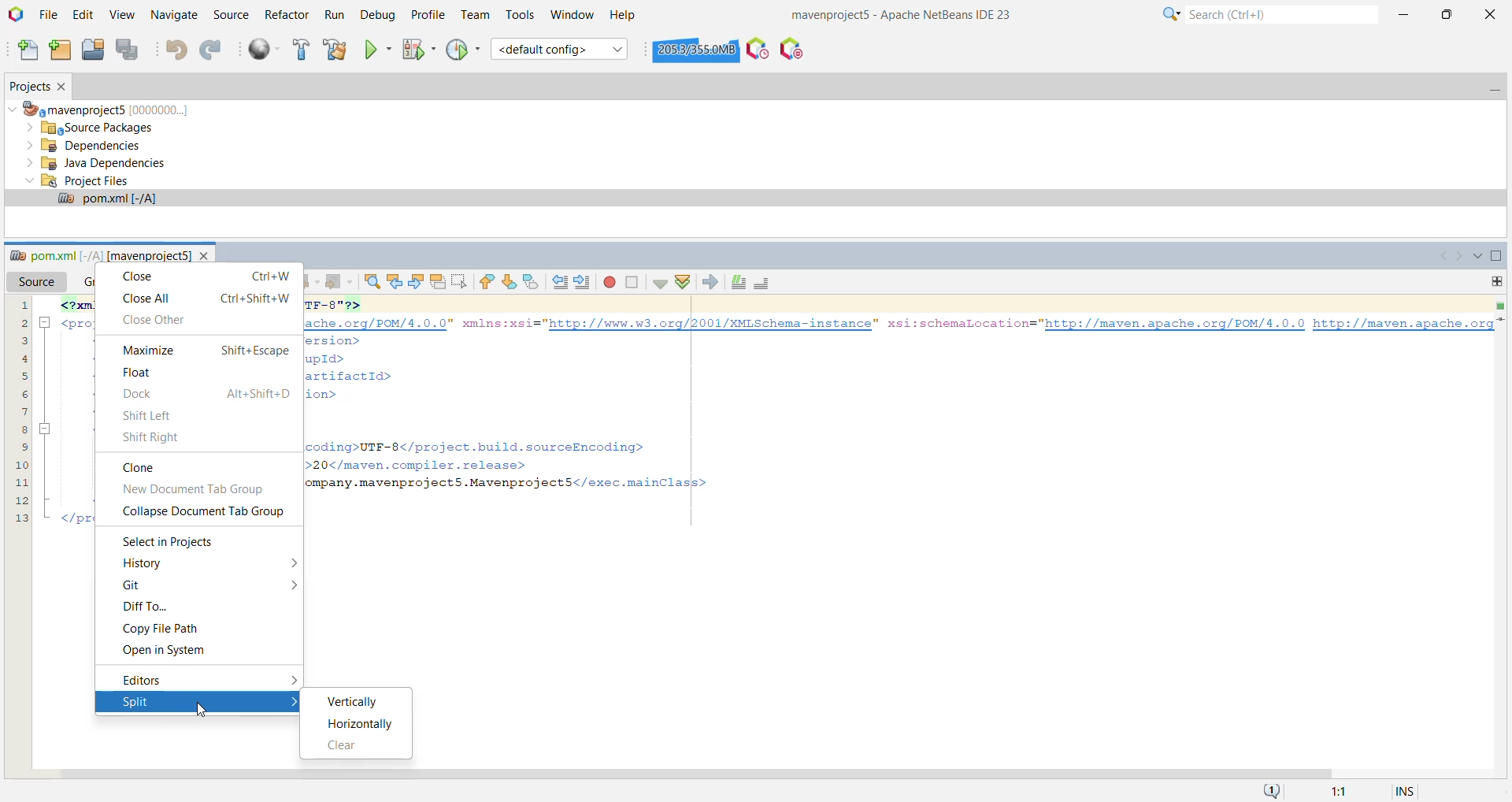 The height and width of the screenshot is (802, 1512). I want to click on Open in System, so click(168, 649).